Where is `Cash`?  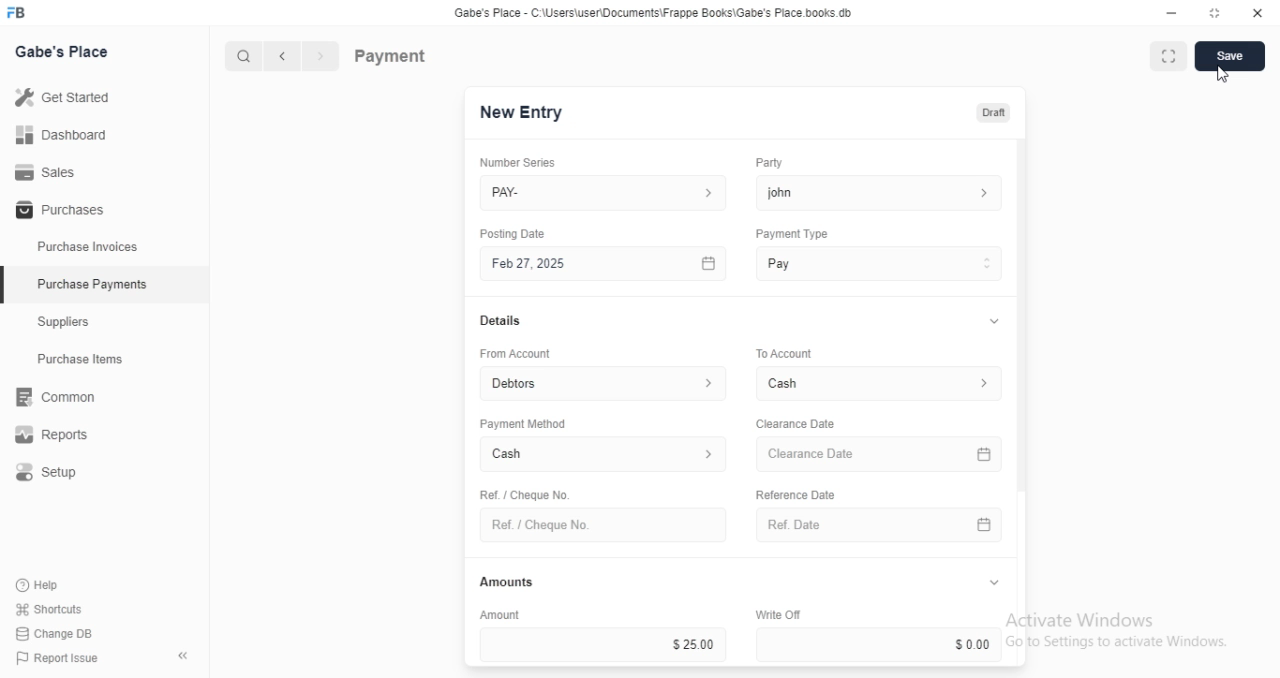
Cash is located at coordinates (882, 383).